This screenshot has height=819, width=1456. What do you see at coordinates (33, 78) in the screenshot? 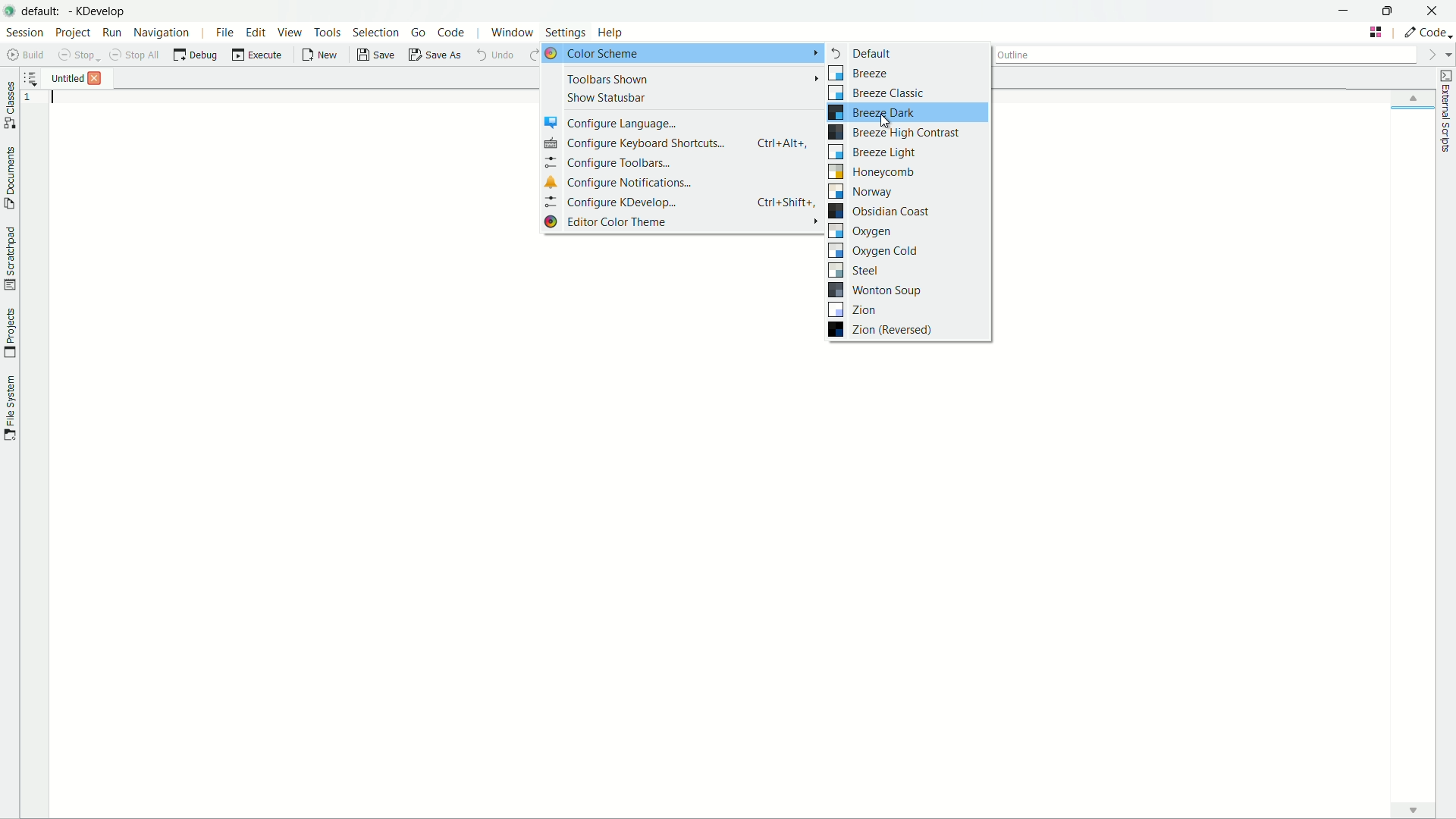
I see `show sorted list of opened documents` at bounding box center [33, 78].